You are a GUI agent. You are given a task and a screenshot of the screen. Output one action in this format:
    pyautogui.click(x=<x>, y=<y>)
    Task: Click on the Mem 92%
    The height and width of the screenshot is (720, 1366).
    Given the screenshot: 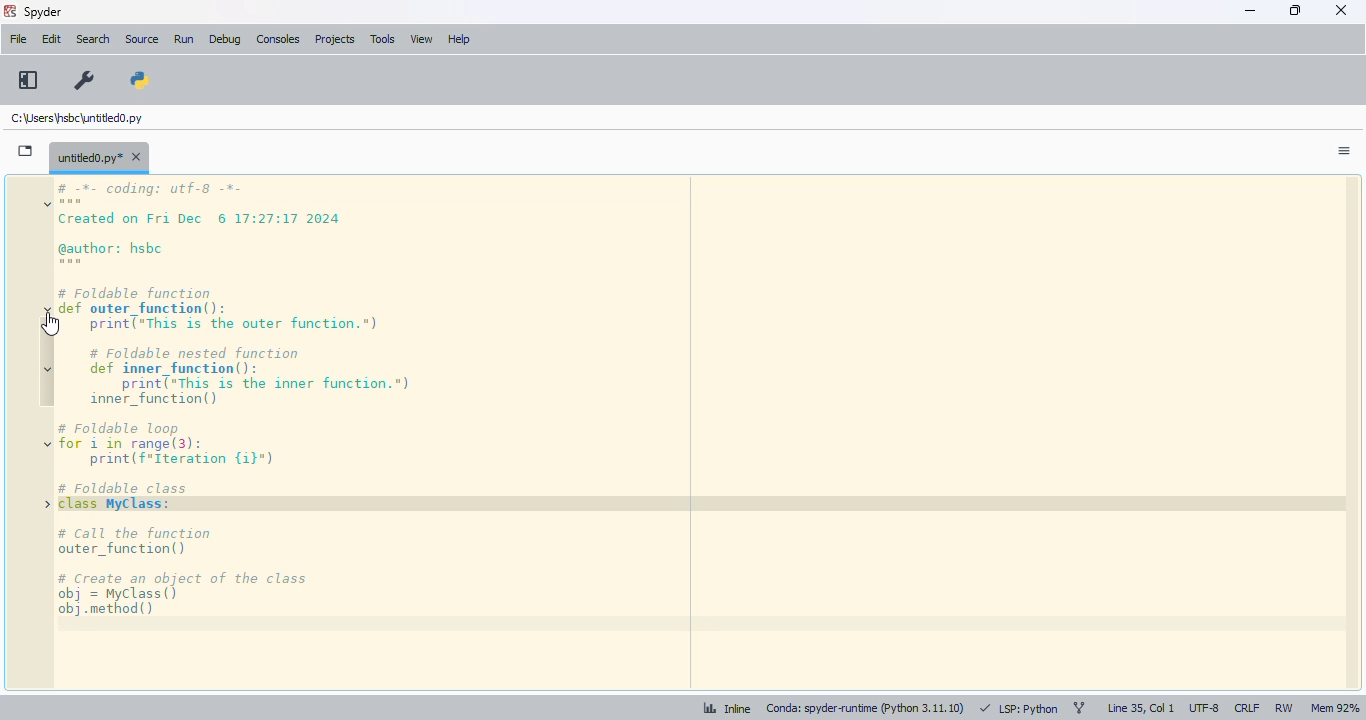 What is the action you would take?
    pyautogui.click(x=1334, y=708)
    